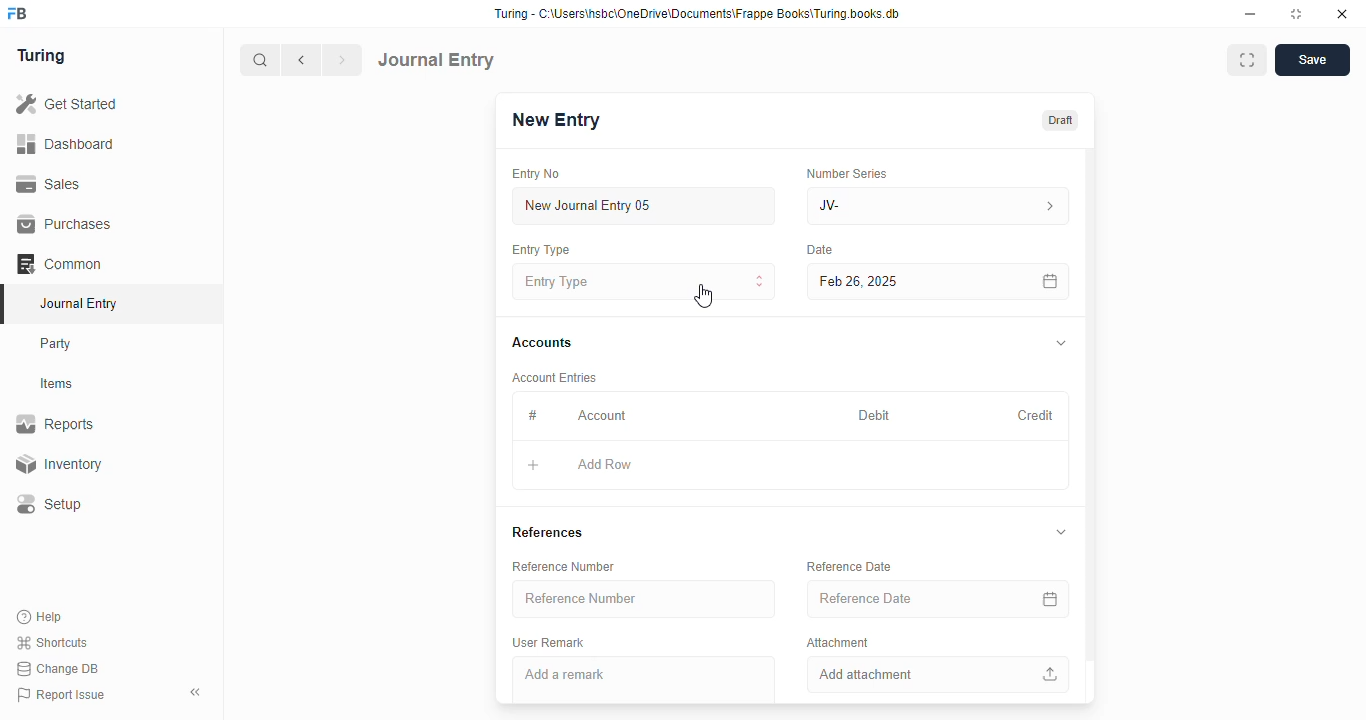 This screenshot has width=1366, height=720. I want to click on reference date, so click(850, 566).